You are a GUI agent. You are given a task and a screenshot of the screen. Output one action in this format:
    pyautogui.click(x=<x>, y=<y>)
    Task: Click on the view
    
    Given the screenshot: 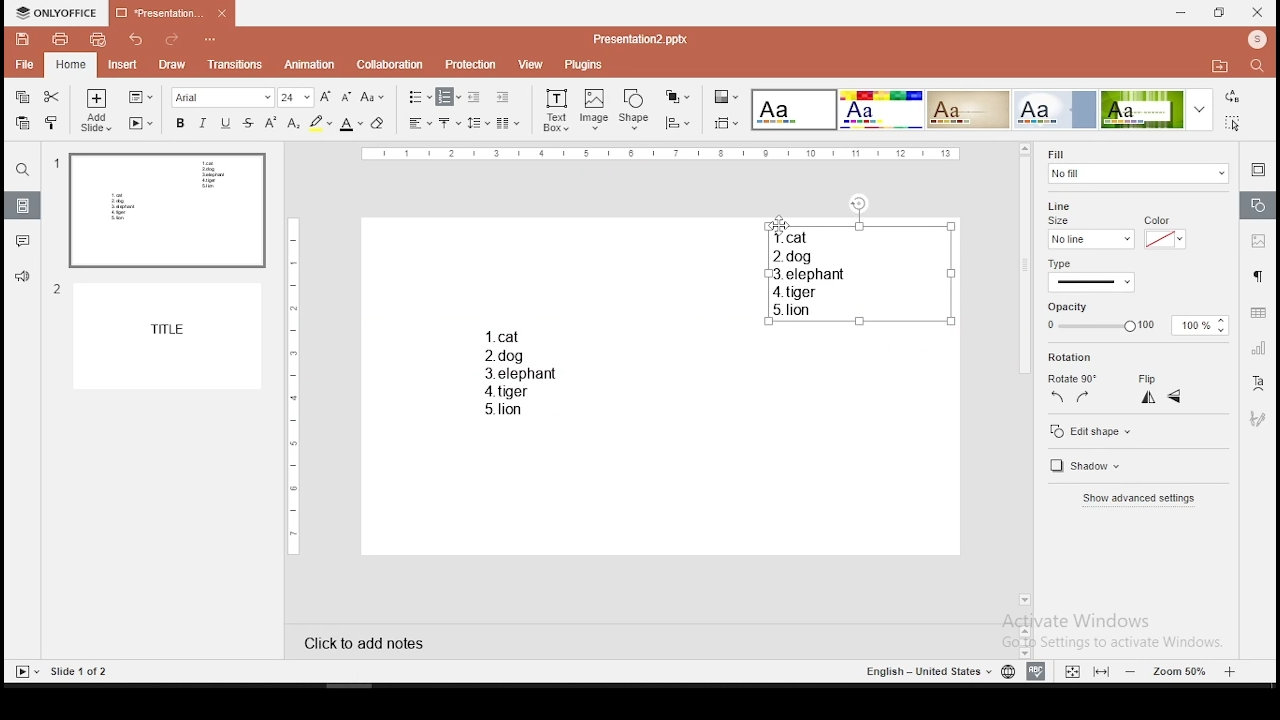 What is the action you would take?
    pyautogui.click(x=530, y=65)
    